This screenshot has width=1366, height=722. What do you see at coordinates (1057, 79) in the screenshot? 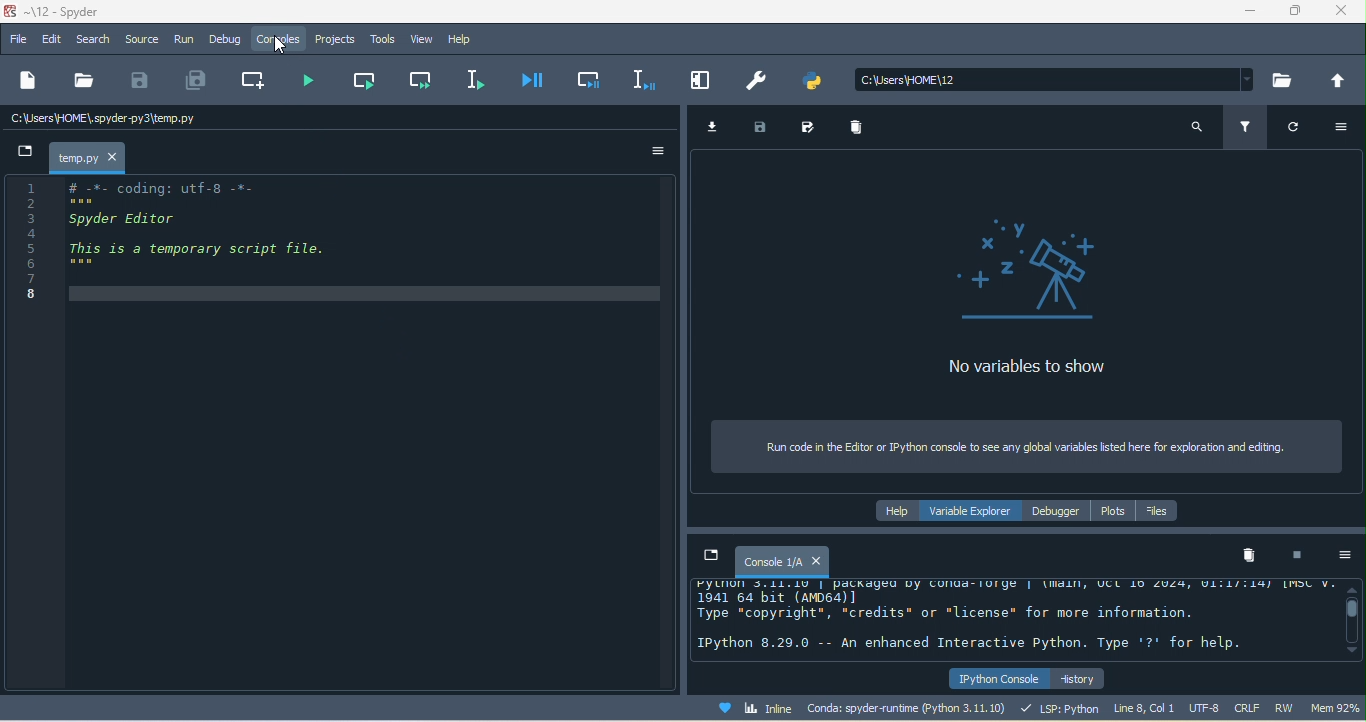
I see `search bar` at bounding box center [1057, 79].